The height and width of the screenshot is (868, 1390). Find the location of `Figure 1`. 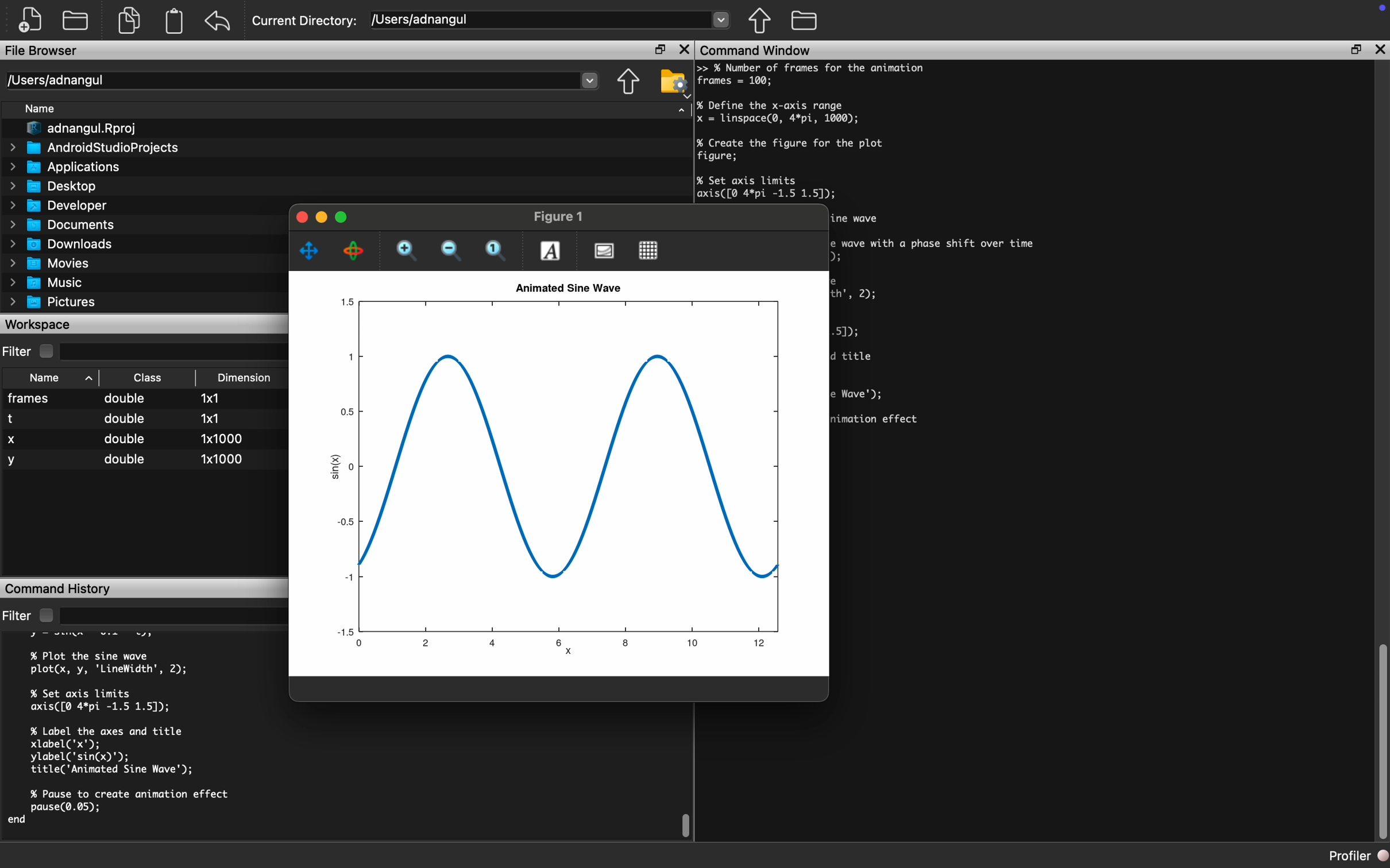

Figure 1 is located at coordinates (562, 218).